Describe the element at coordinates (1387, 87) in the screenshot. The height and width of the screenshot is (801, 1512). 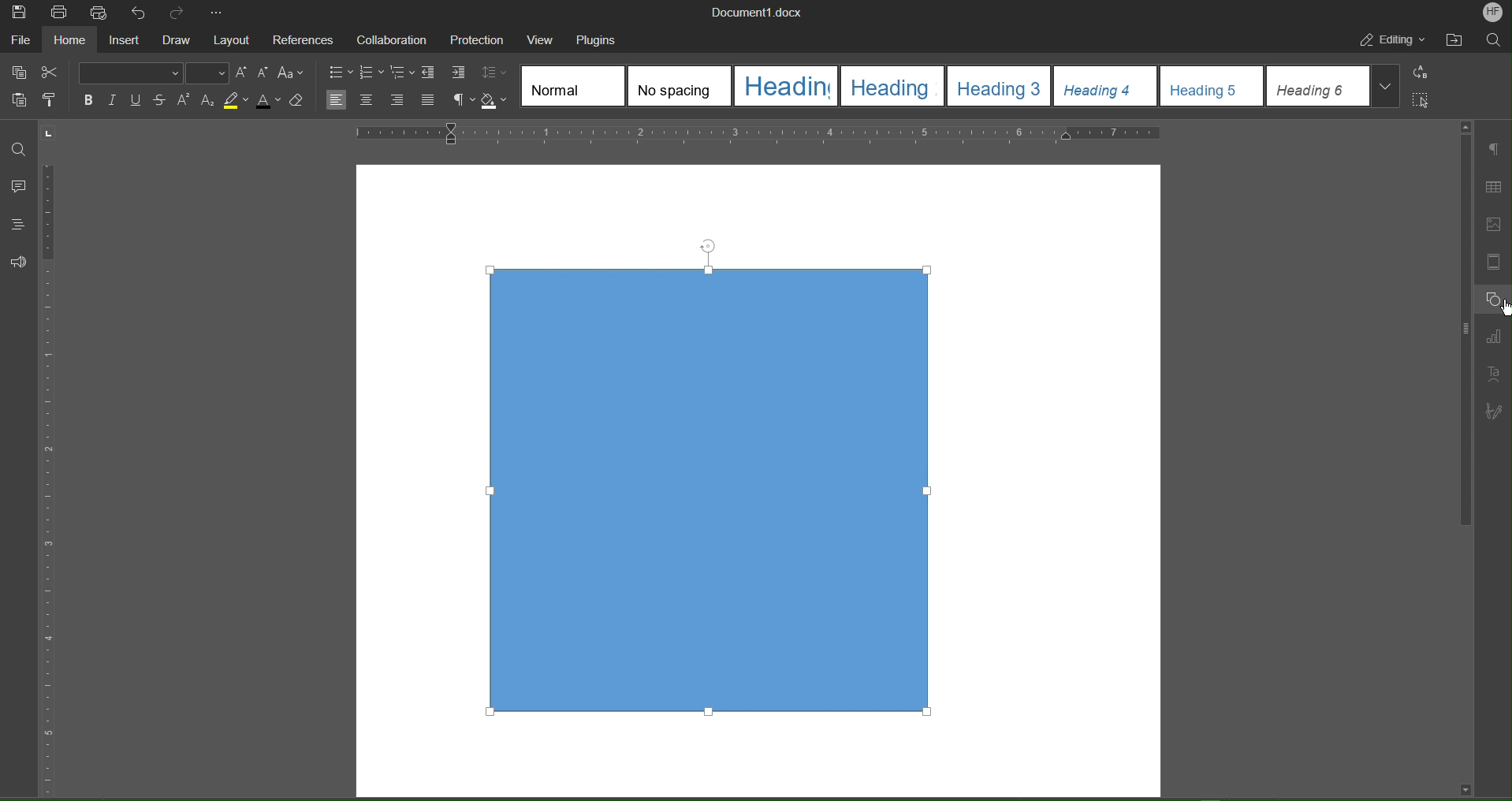
I see `More Headings` at that location.